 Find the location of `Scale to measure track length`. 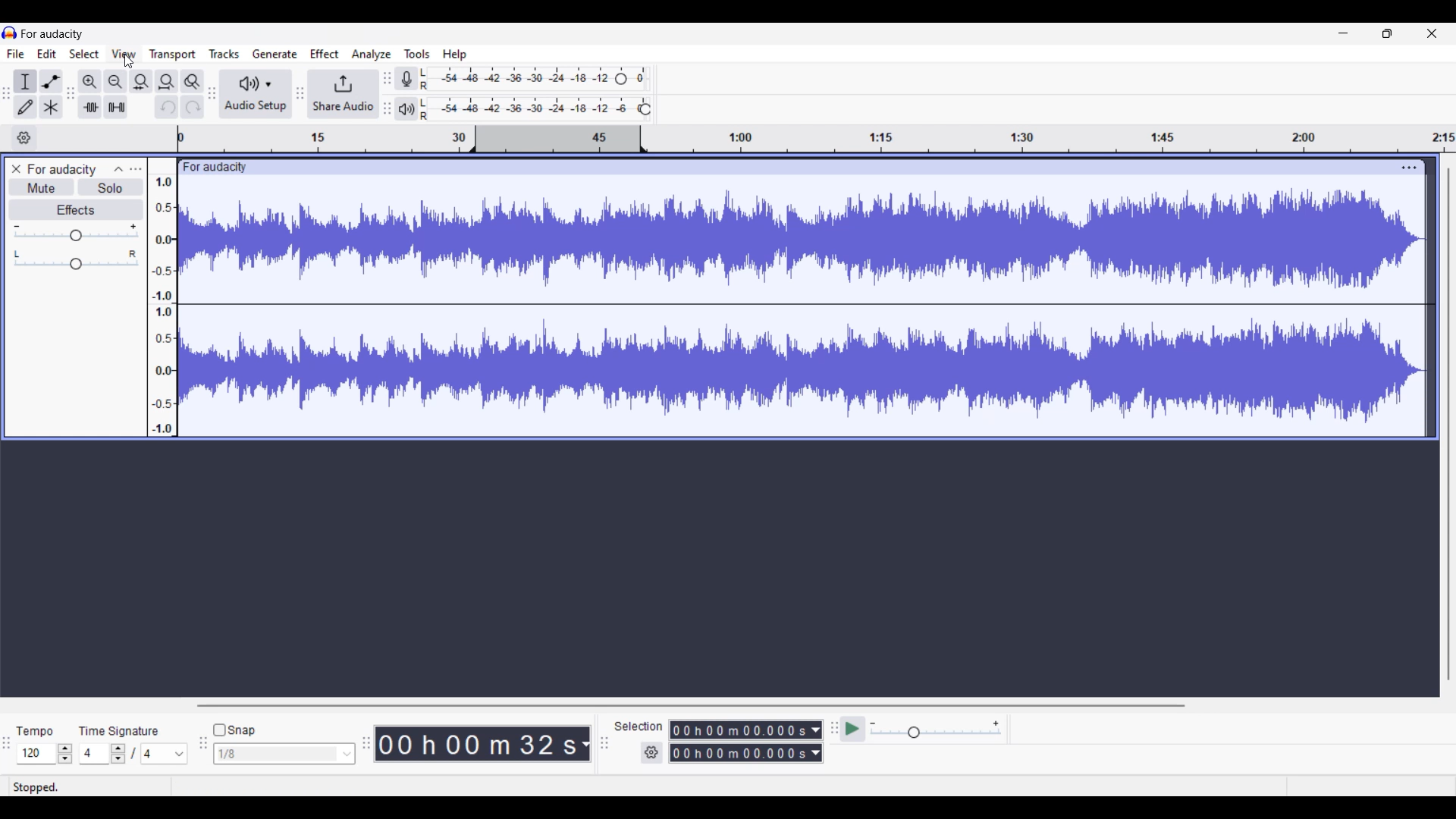

Scale to measure track length is located at coordinates (816, 139).